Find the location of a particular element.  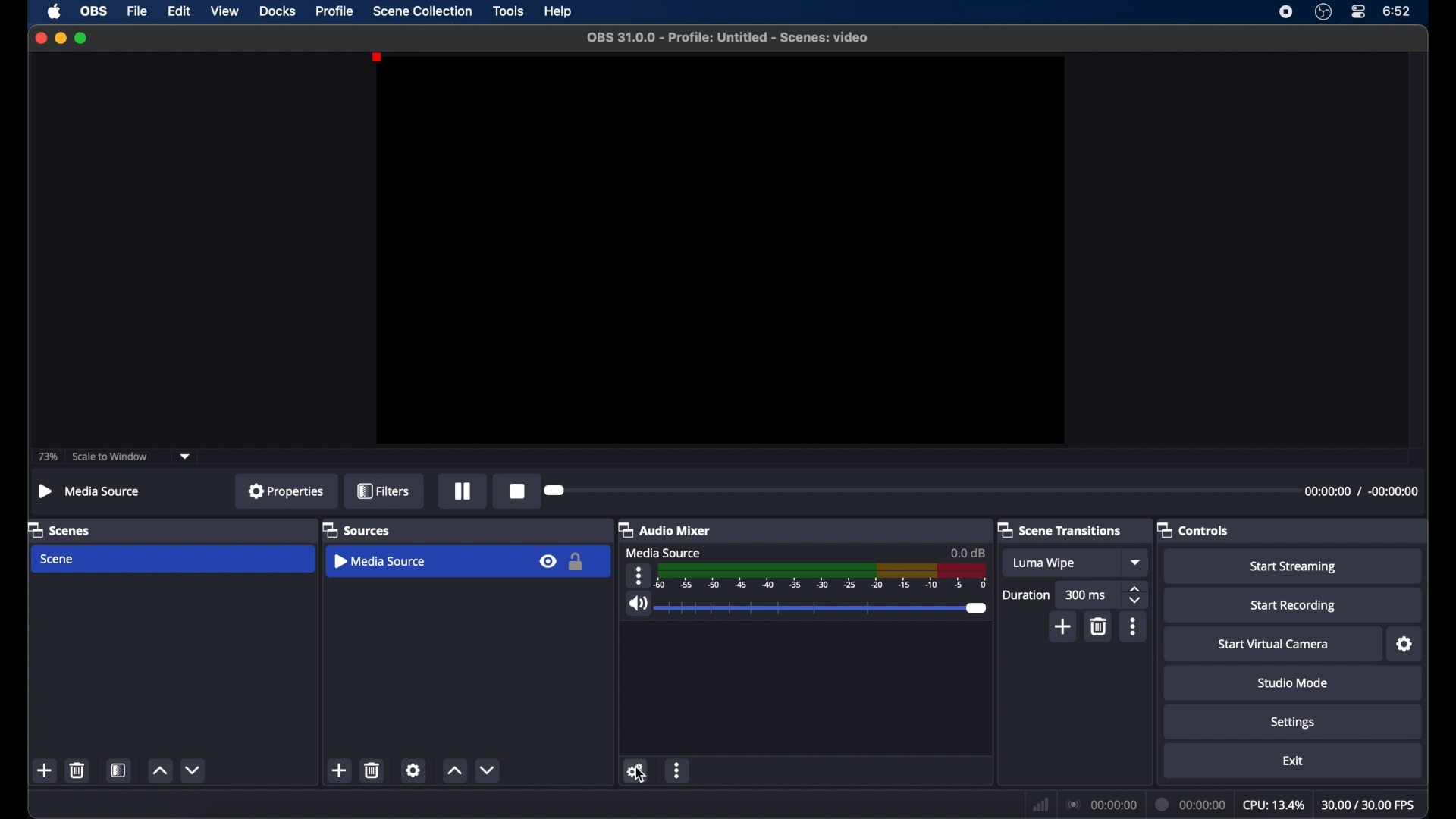

time is located at coordinates (1398, 11).